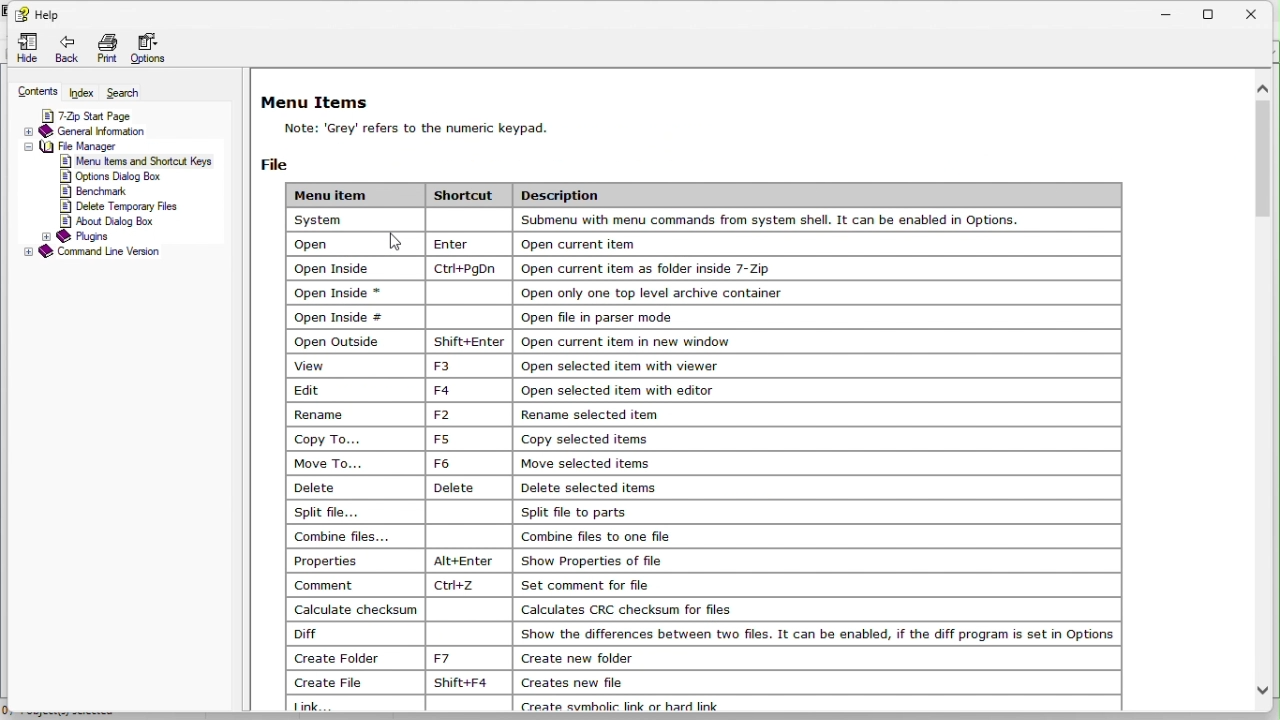  Describe the element at coordinates (22, 47) in the screenshot. I see `hide` at that location.